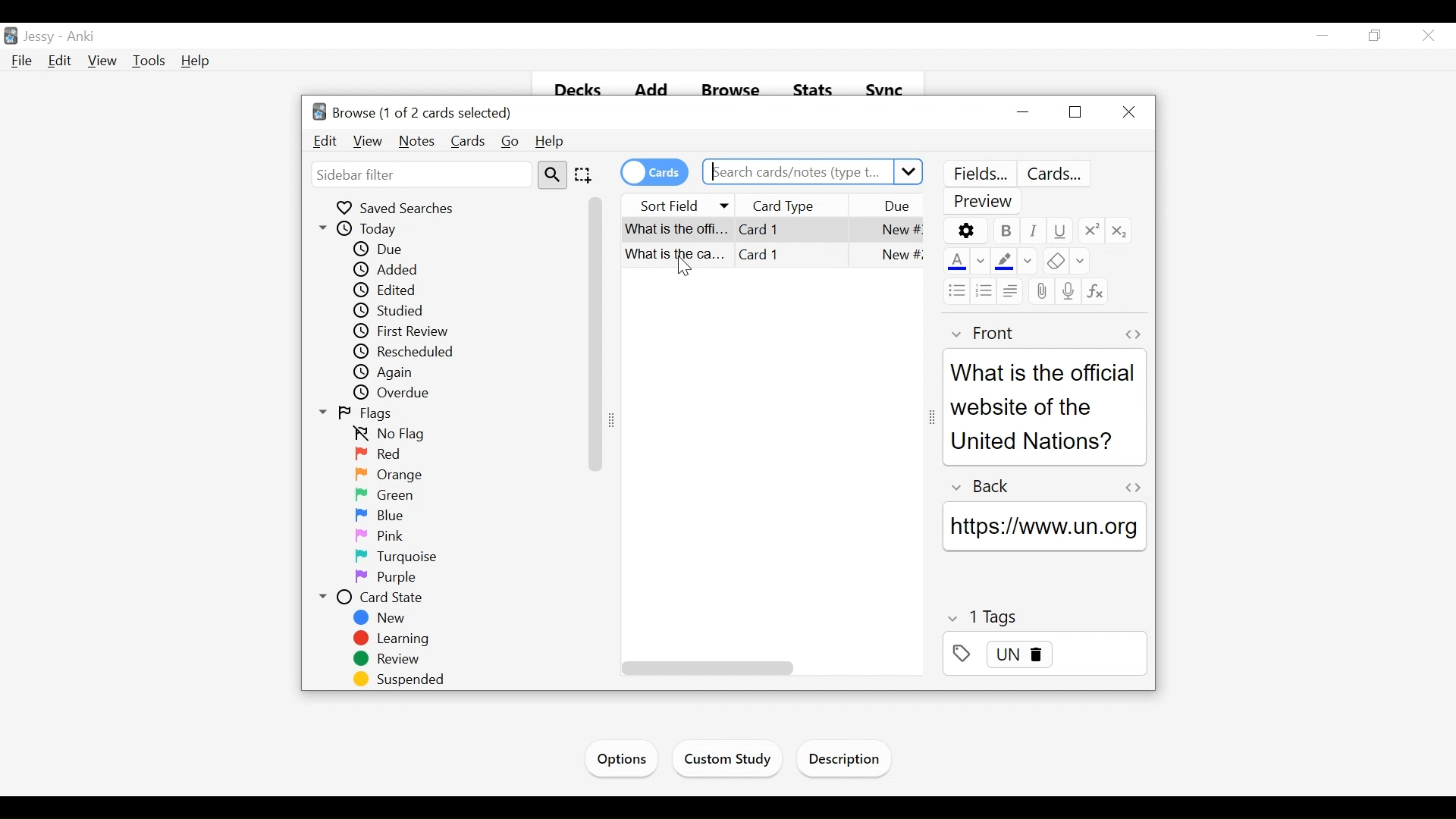 The width and height of the screenshot is (1456, 819). What do you see at coordinates (811, 172) in the screenshot?
I see `Search cards/notes` at bounding box center [811, 172].